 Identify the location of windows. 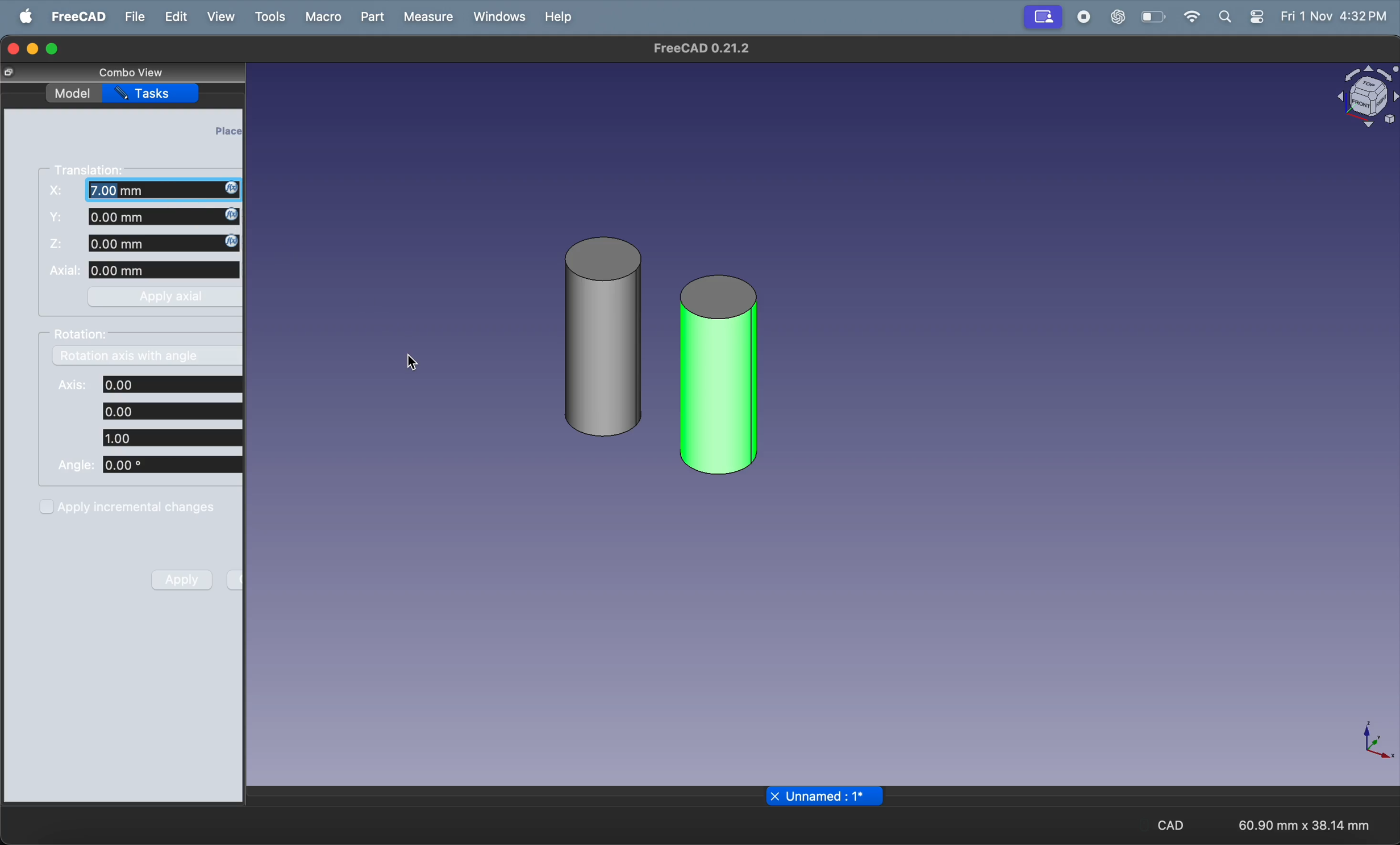
(495, 18).